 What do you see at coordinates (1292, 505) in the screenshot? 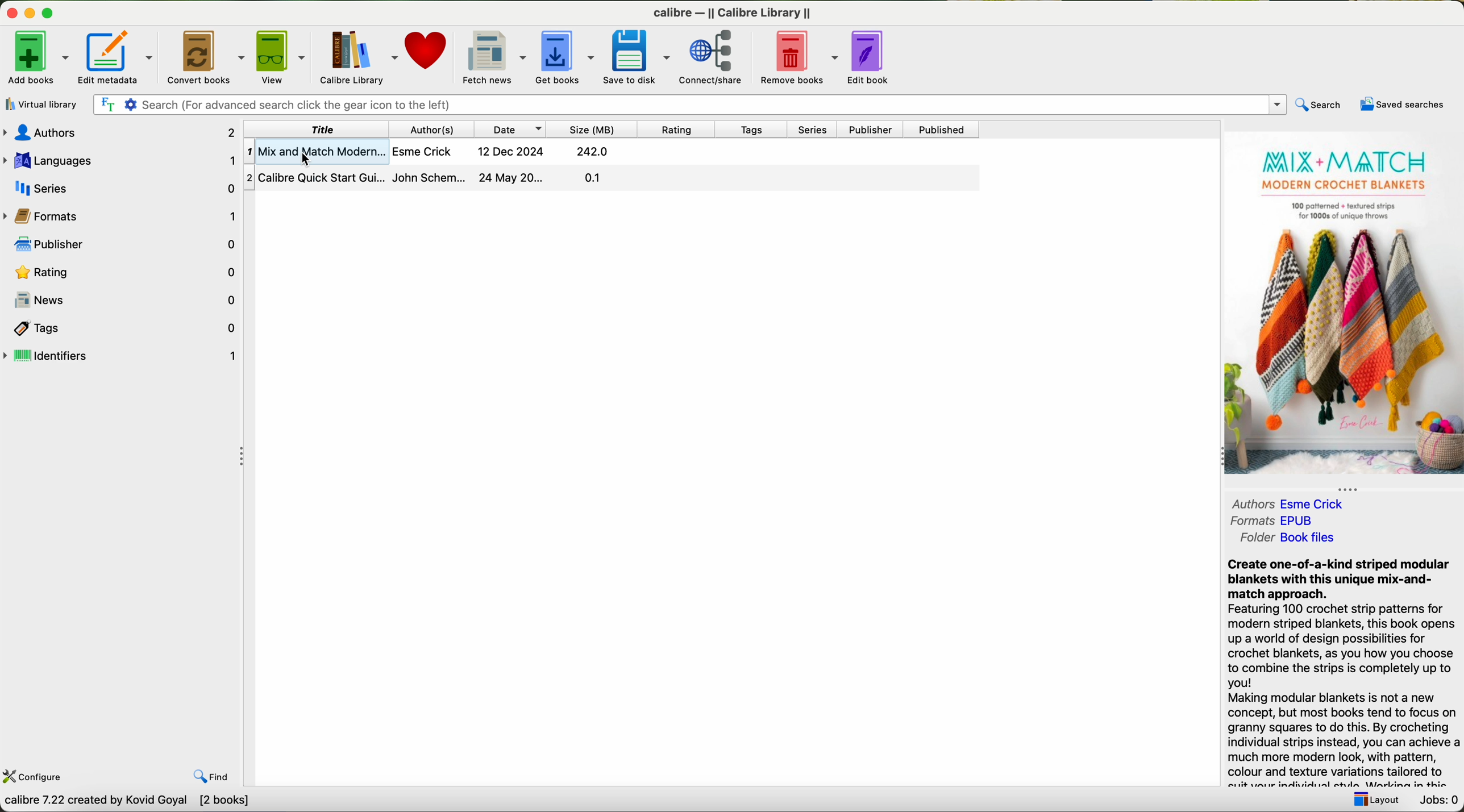
I see `authors` at bounding box center [1292, 505].